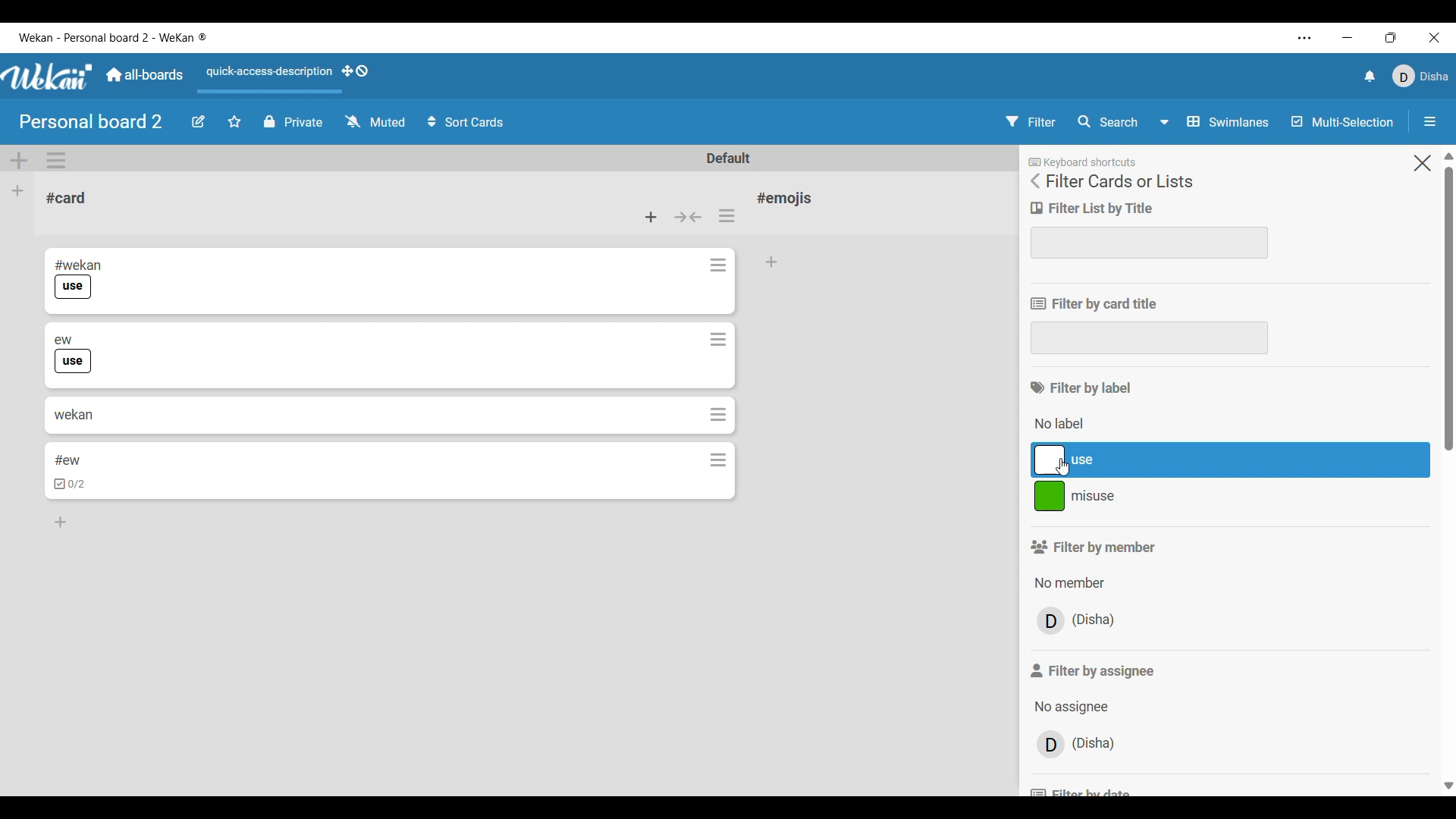  Describe the element at coordinates (719, 414) in the screenshot. I see `Card actions for respective card` at that location.